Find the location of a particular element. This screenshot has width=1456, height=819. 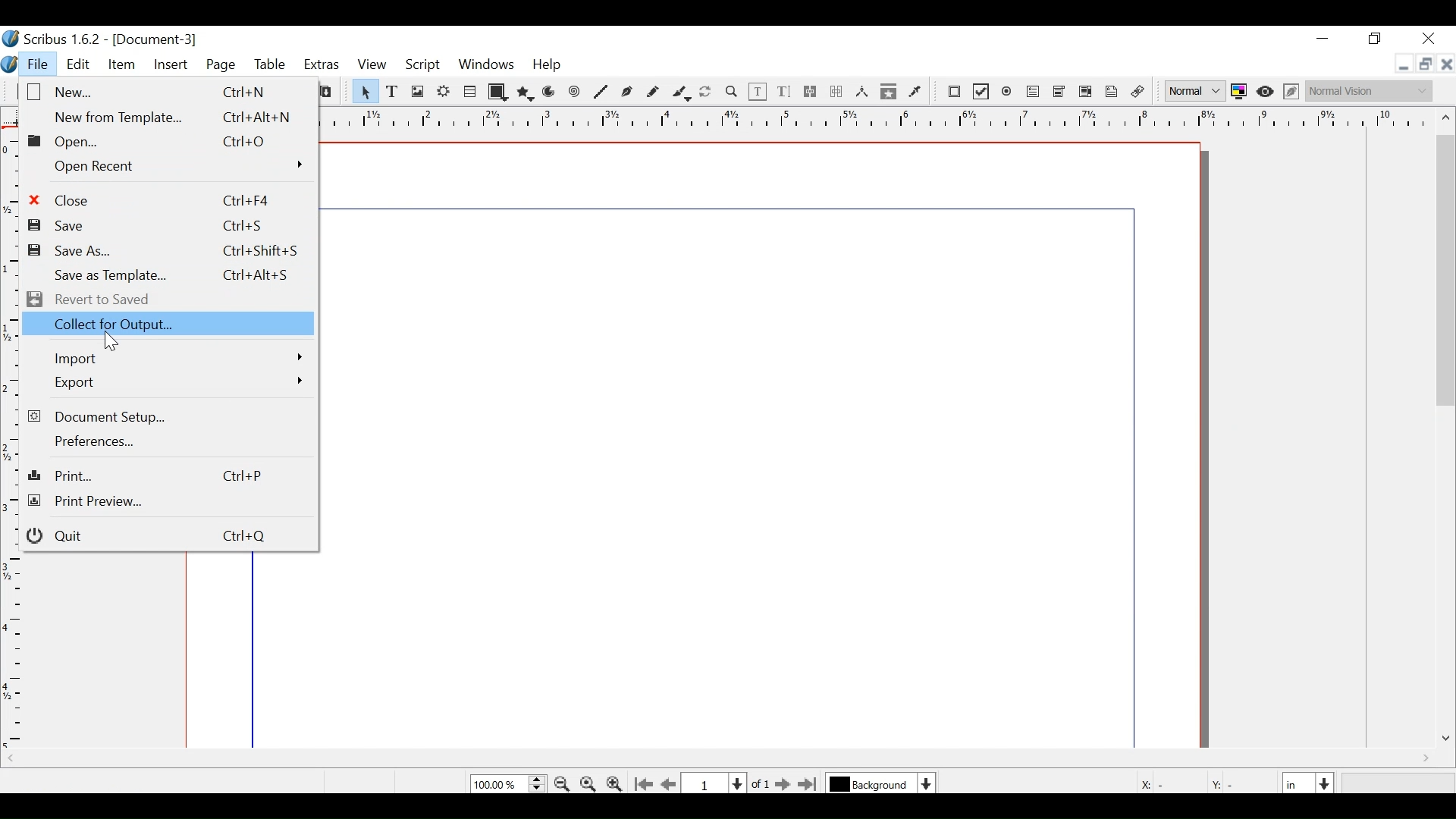

Zoom to 100 is located at coordinates (588, 783).